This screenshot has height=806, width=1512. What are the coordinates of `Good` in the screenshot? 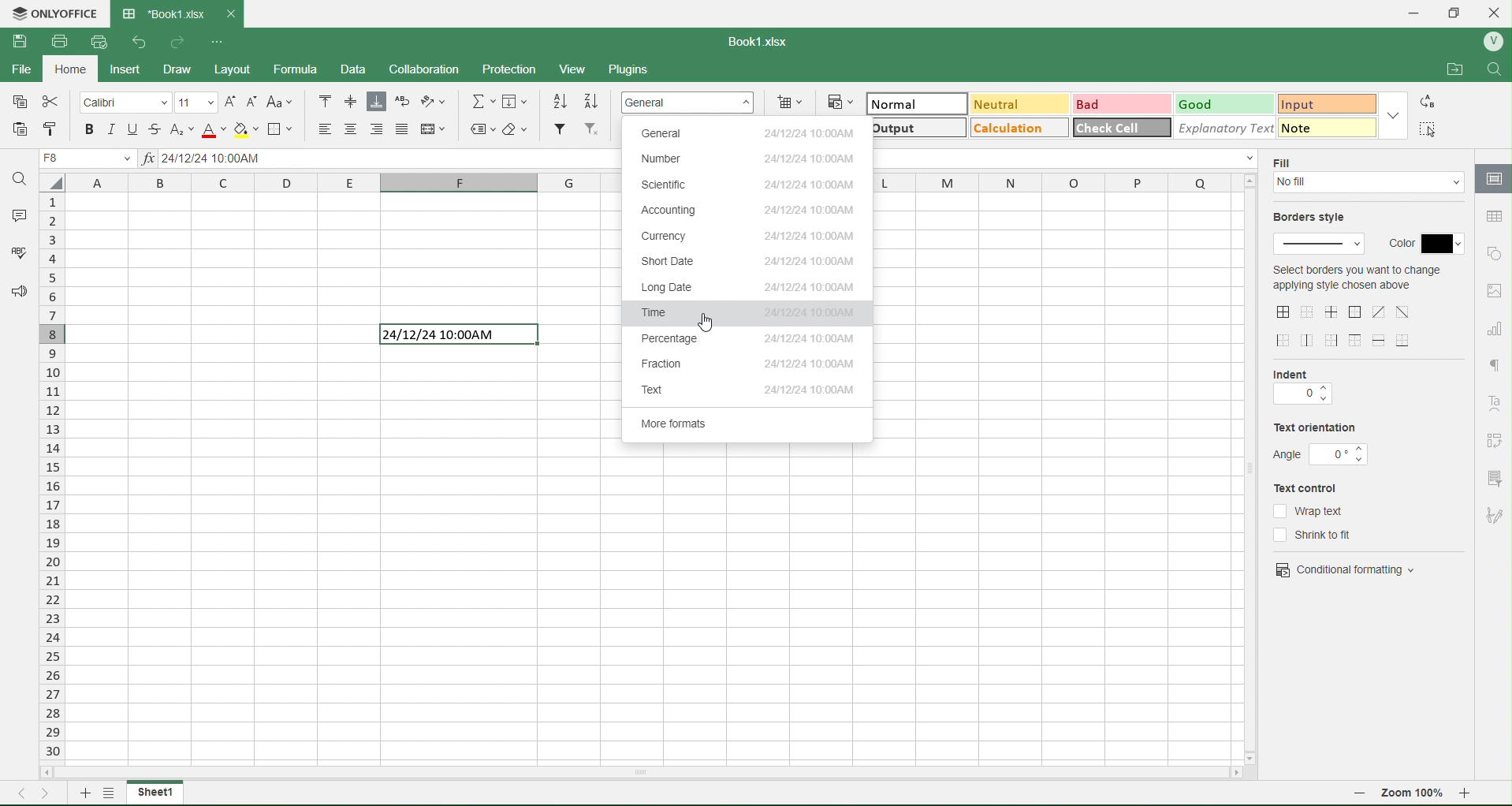 It's located at (1204, 103).